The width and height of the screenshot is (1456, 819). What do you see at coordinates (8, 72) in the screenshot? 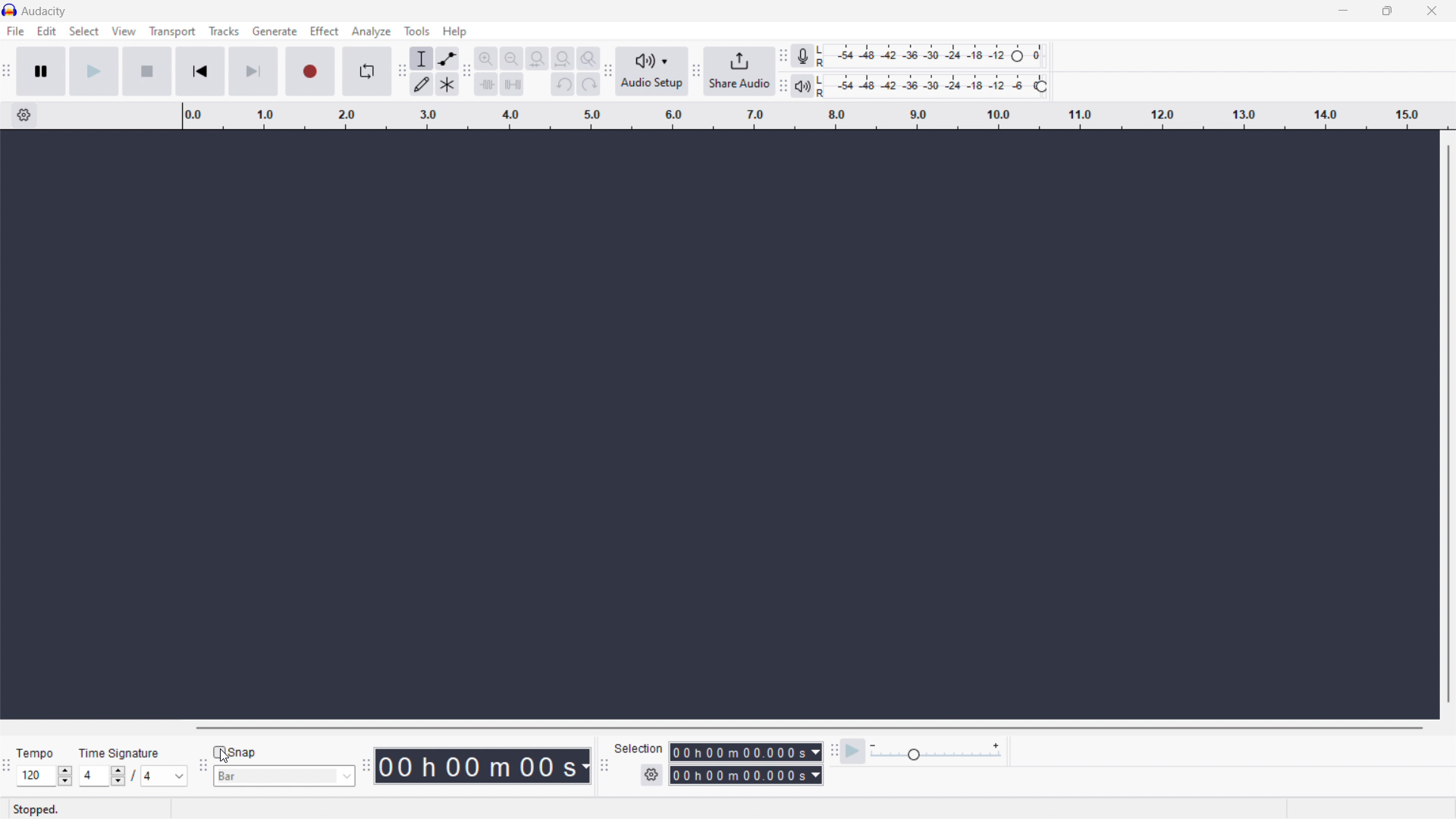
I see `transport toolbar` at bounding box center [8, 72].